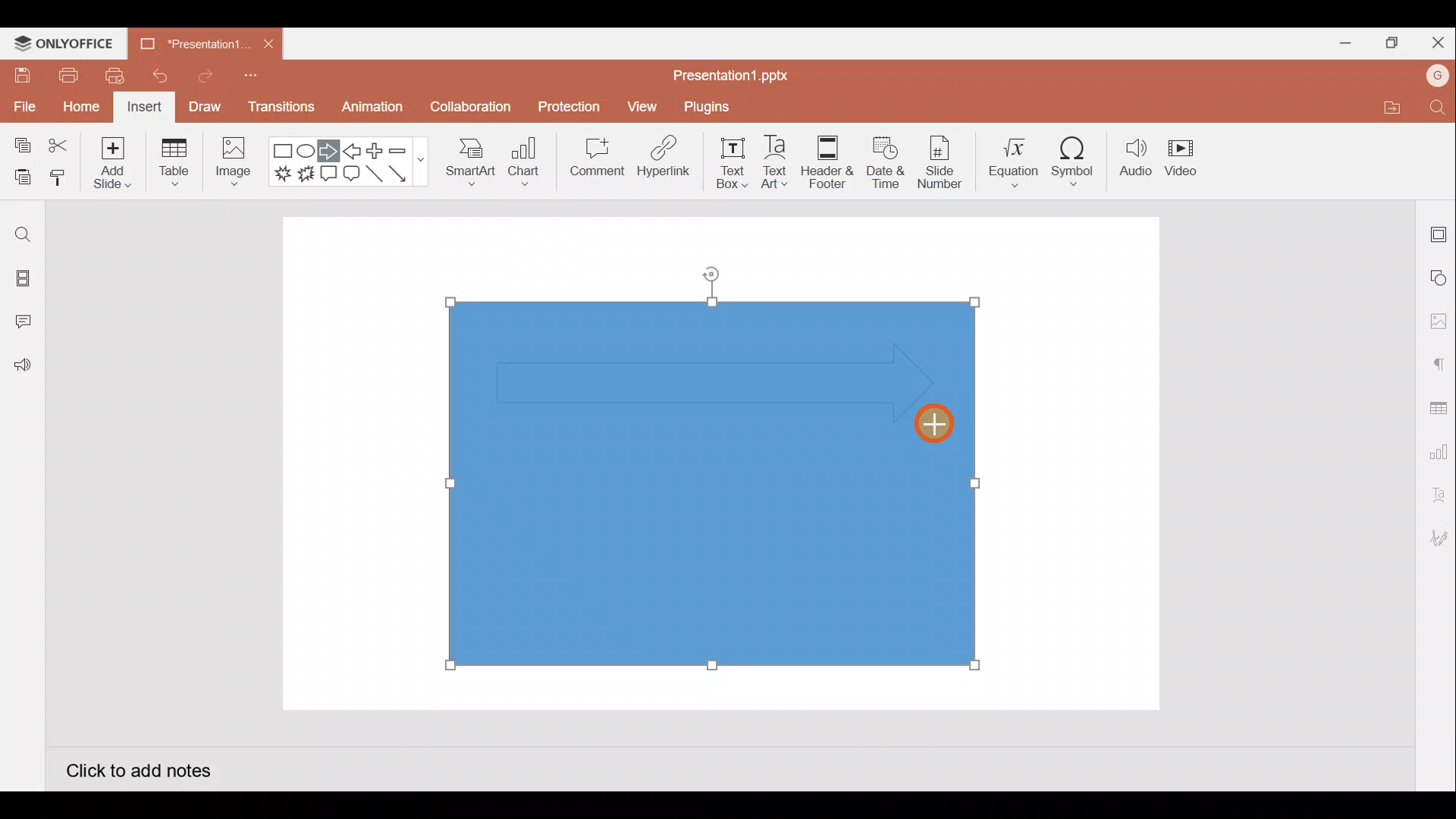 The width and height of the screenshot is (1456, 819). What do you see at coordinates (22, 369) in the screenshot?
I see `Feedback and Support` at bounding box center [22, 369].